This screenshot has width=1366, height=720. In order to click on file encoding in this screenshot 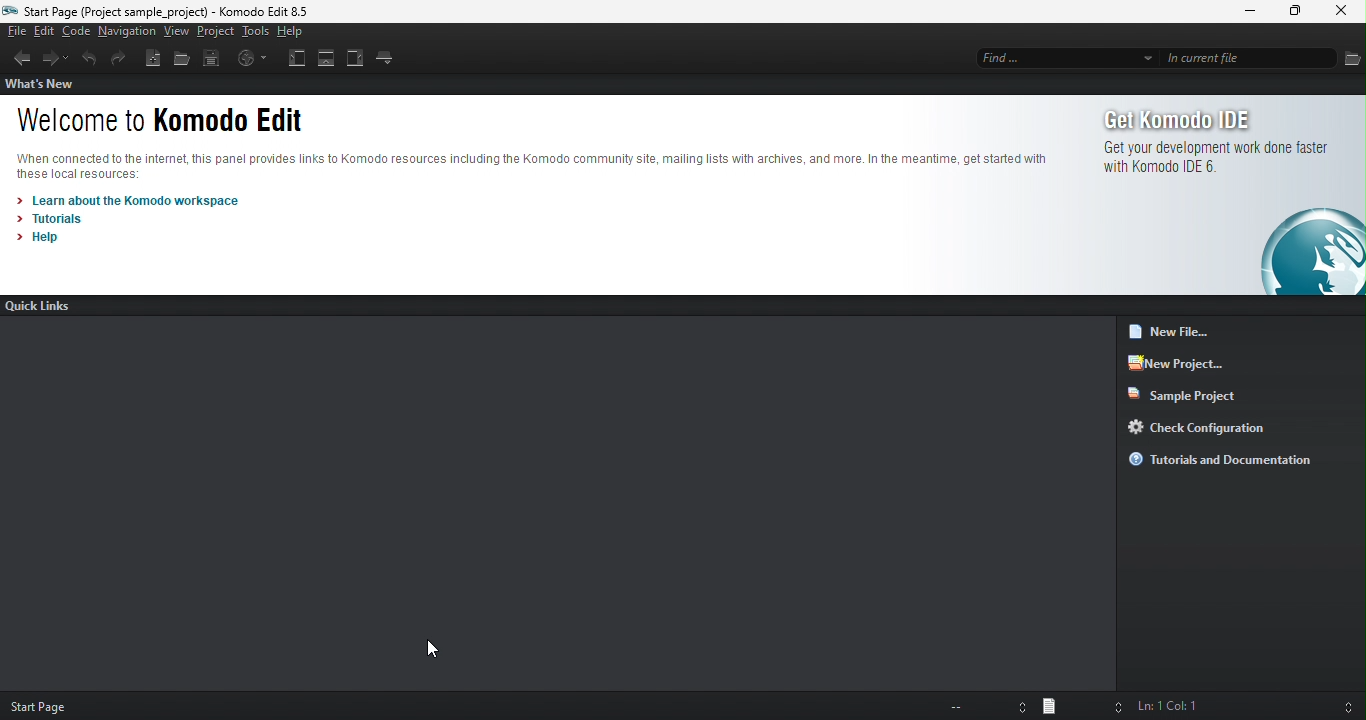, I will do `click(985, 708)`.